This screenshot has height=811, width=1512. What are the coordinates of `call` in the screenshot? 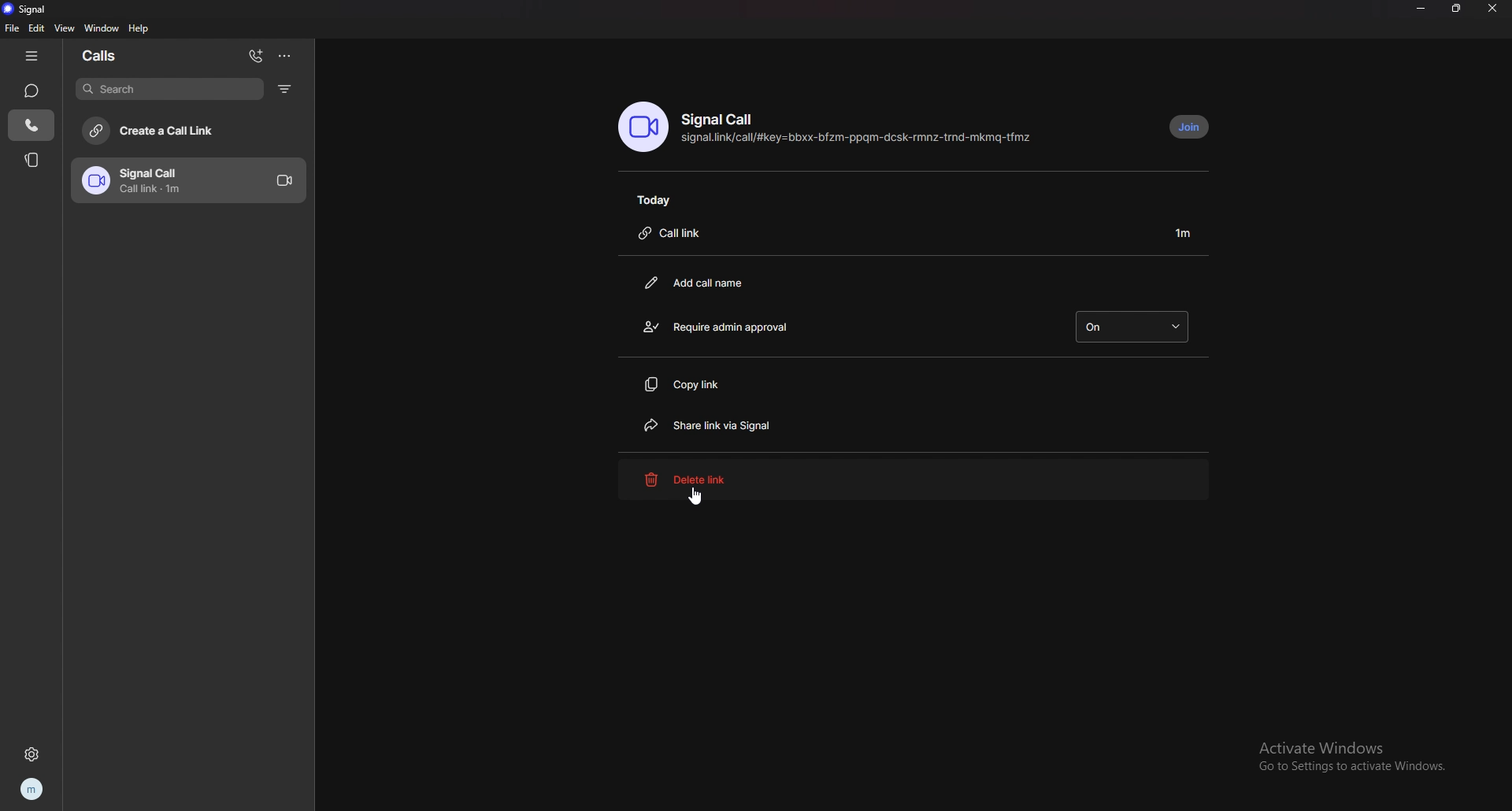 It's located at (195, 180).